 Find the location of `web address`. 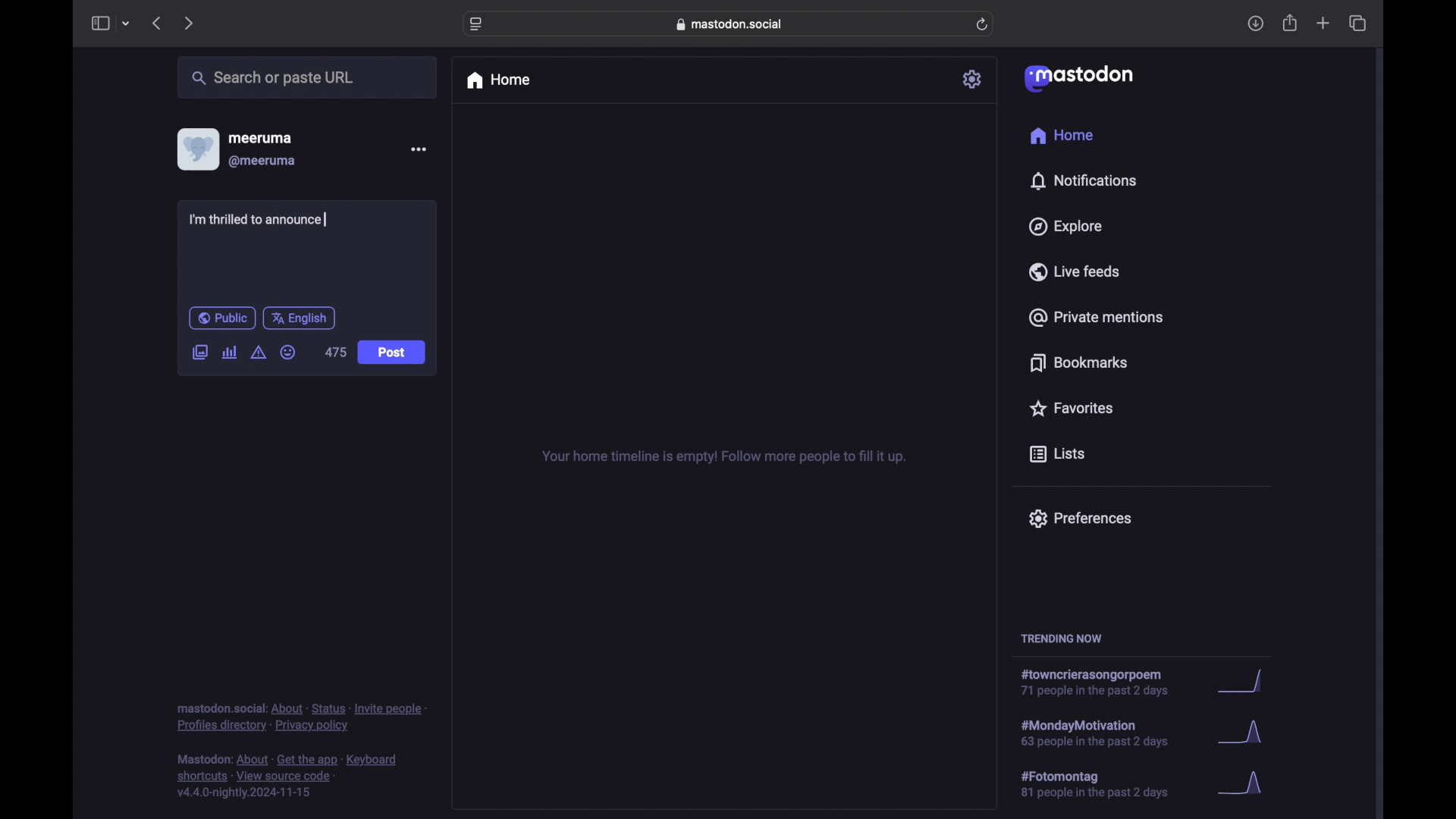

web address is located at coordinates (730, 24).